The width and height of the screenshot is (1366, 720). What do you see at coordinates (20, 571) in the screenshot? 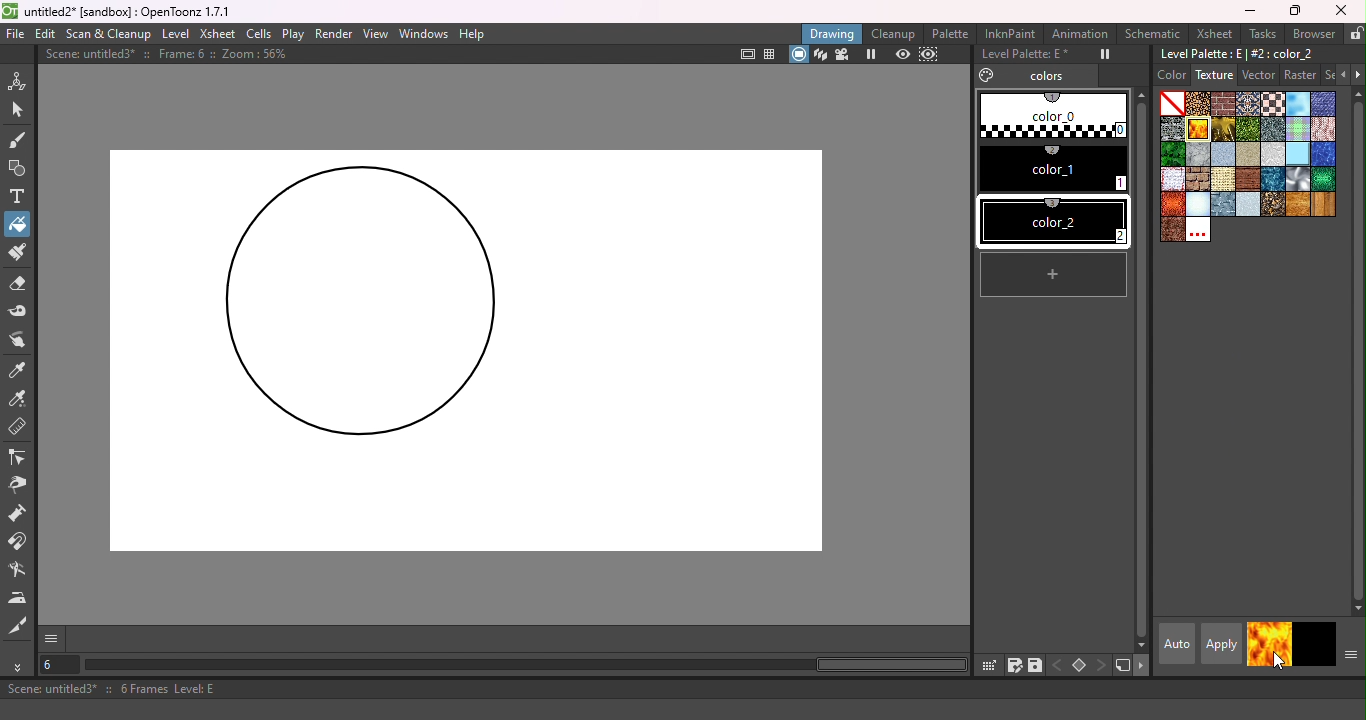
I see `Blender tool` at bounding box center [20, 571].